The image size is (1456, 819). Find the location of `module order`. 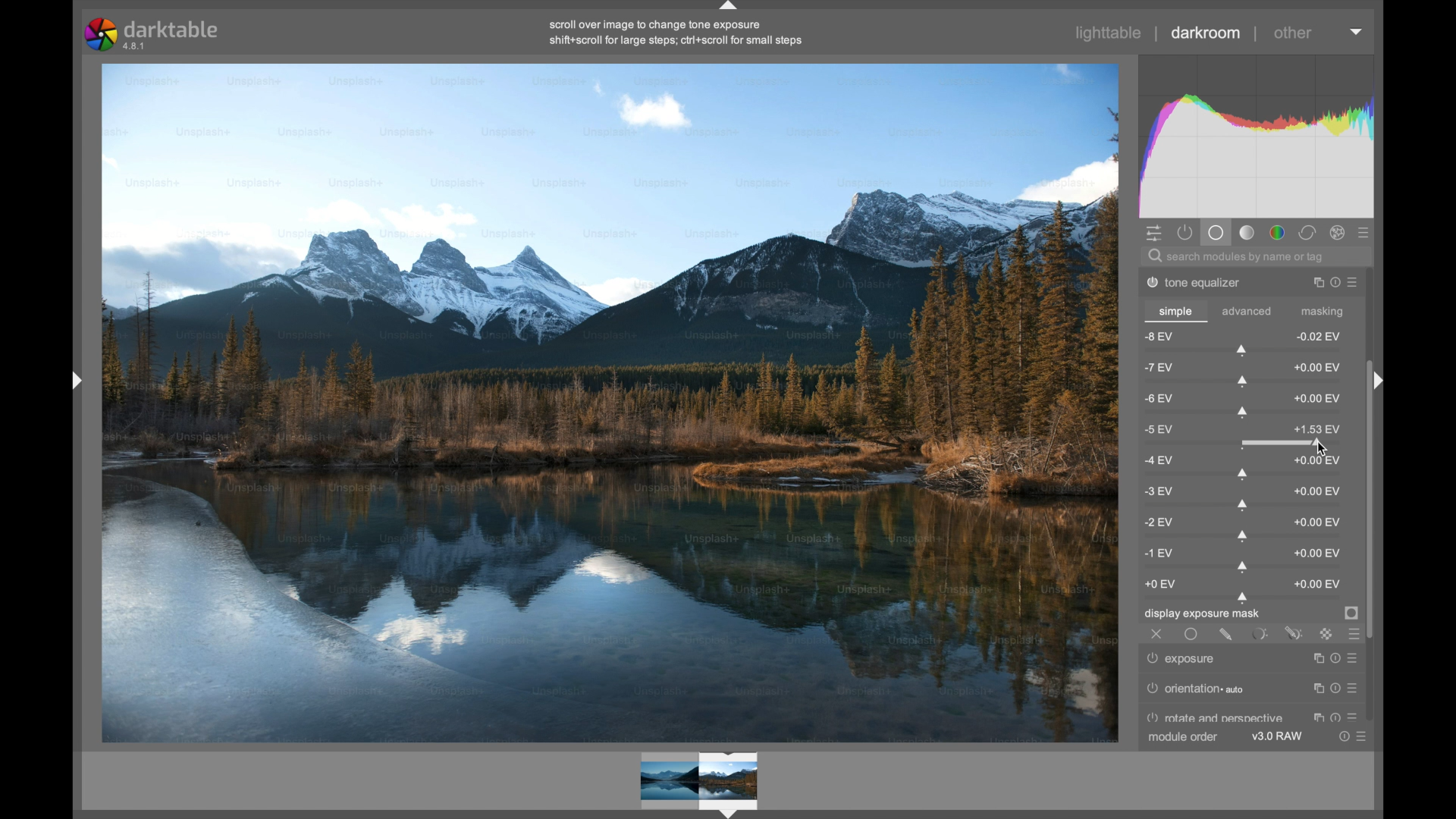

module order is located at coordinates (1183, 738).